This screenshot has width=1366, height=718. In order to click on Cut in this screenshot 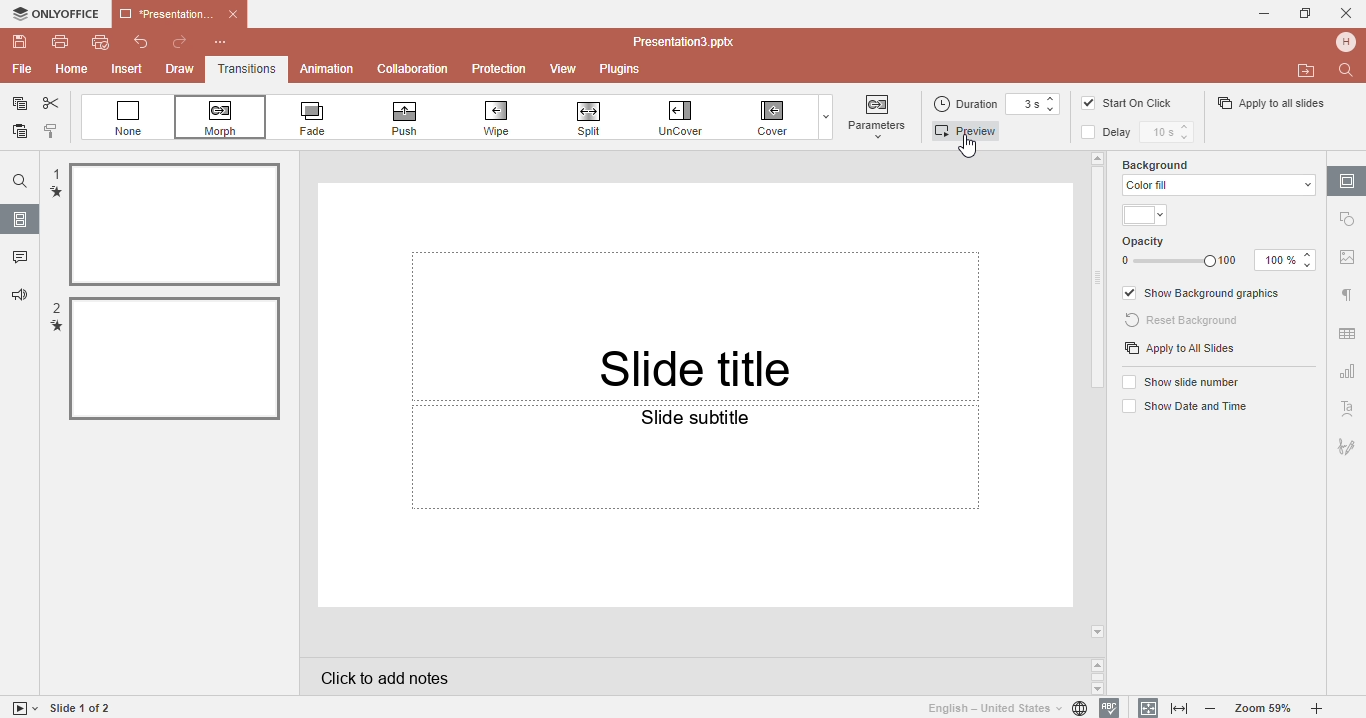, I will do `click(52, 104)`.